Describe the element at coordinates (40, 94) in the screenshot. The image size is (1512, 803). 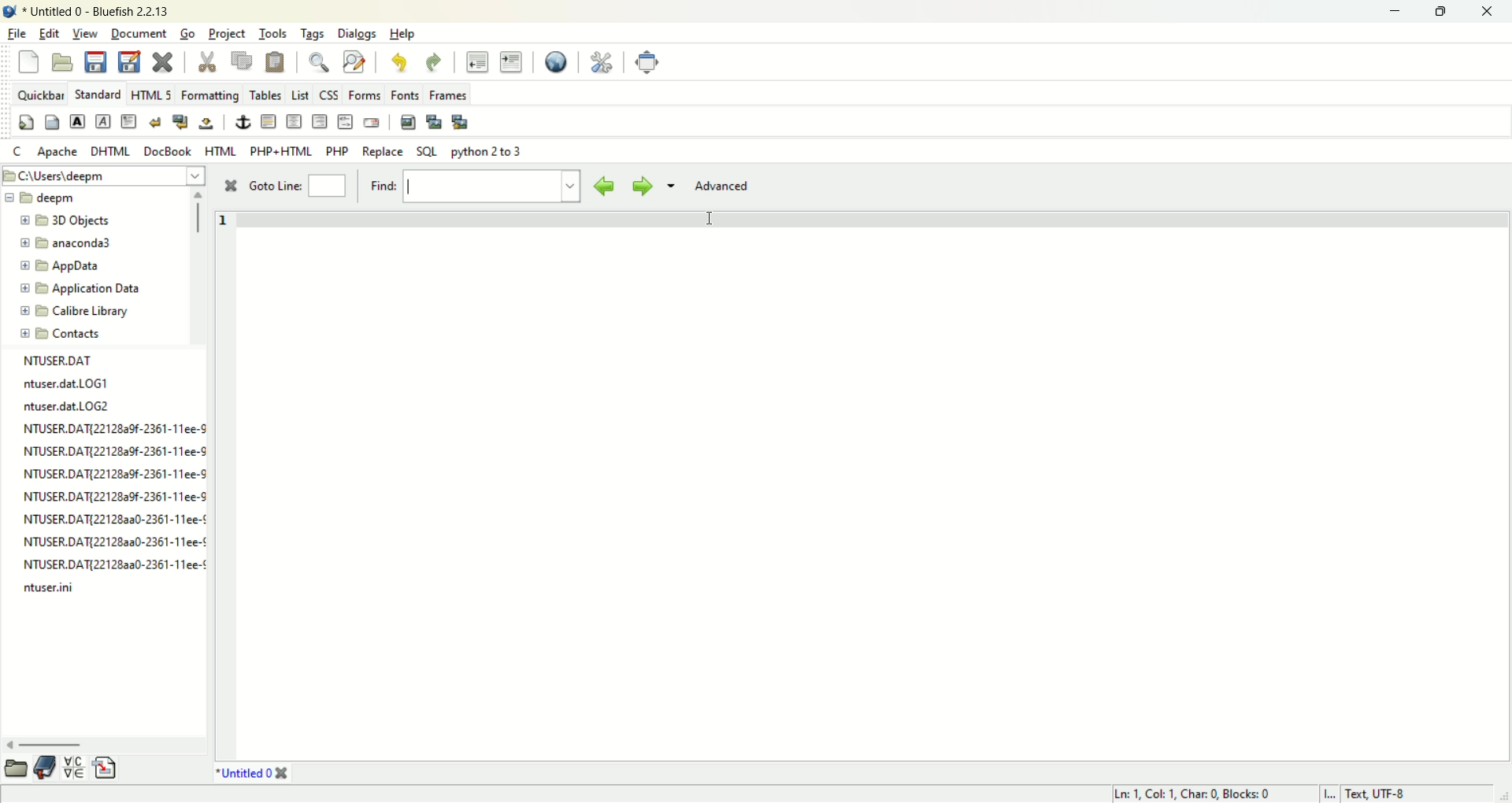
I see `quickbar` at that location.